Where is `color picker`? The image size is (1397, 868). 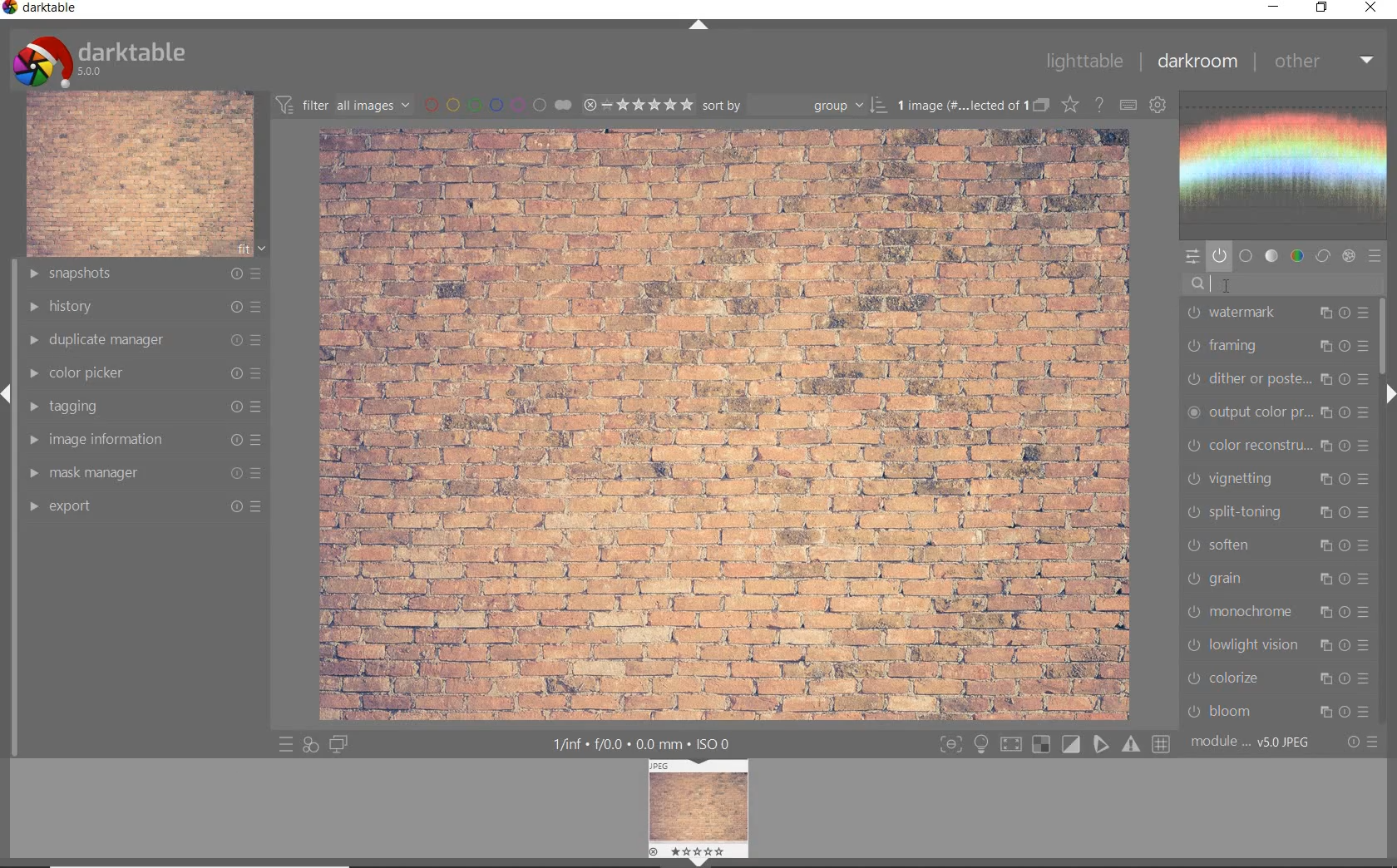
color picker is located at coordinates (146, 374).